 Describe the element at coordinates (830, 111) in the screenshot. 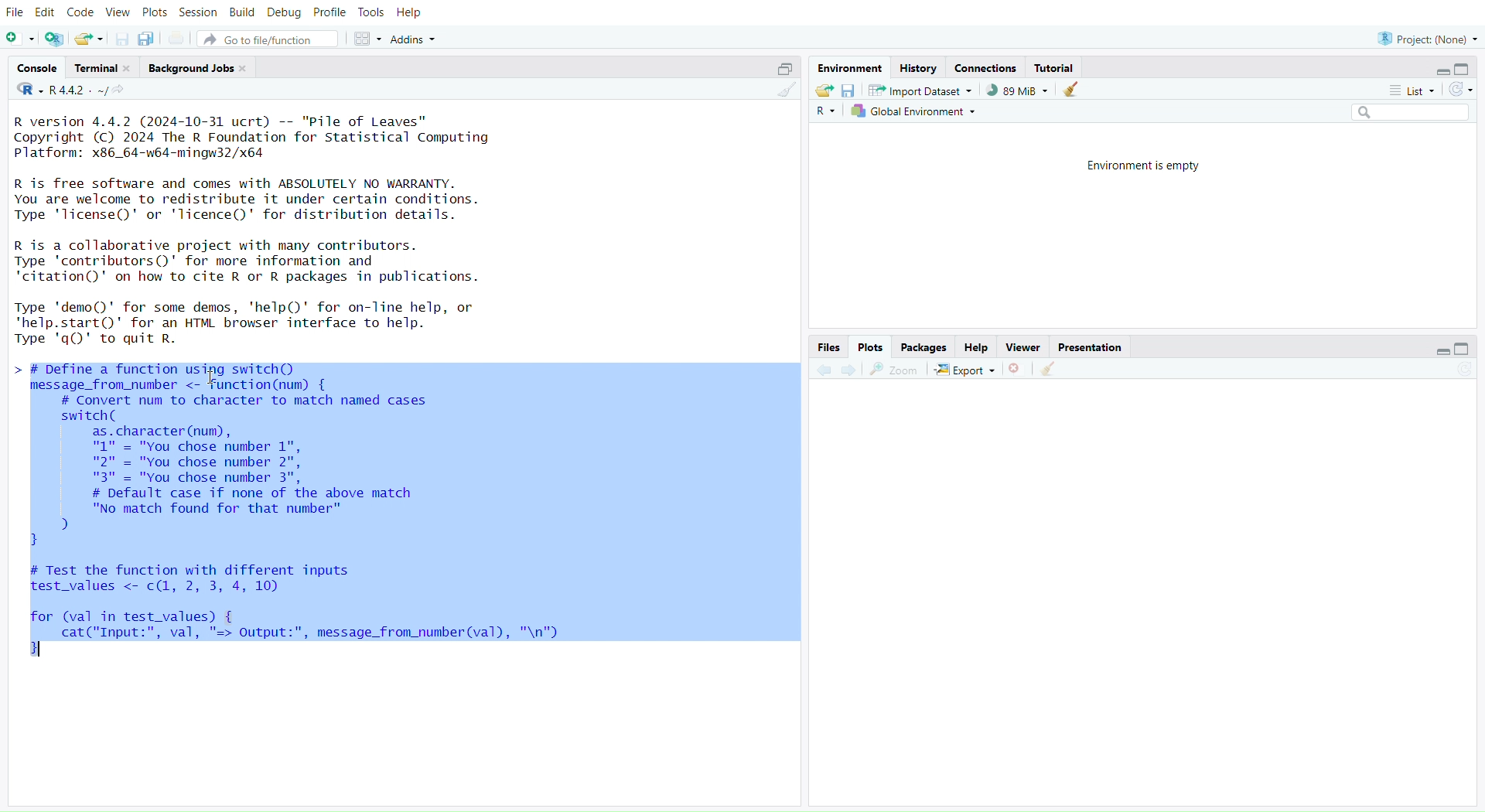

I see `R` at that location.